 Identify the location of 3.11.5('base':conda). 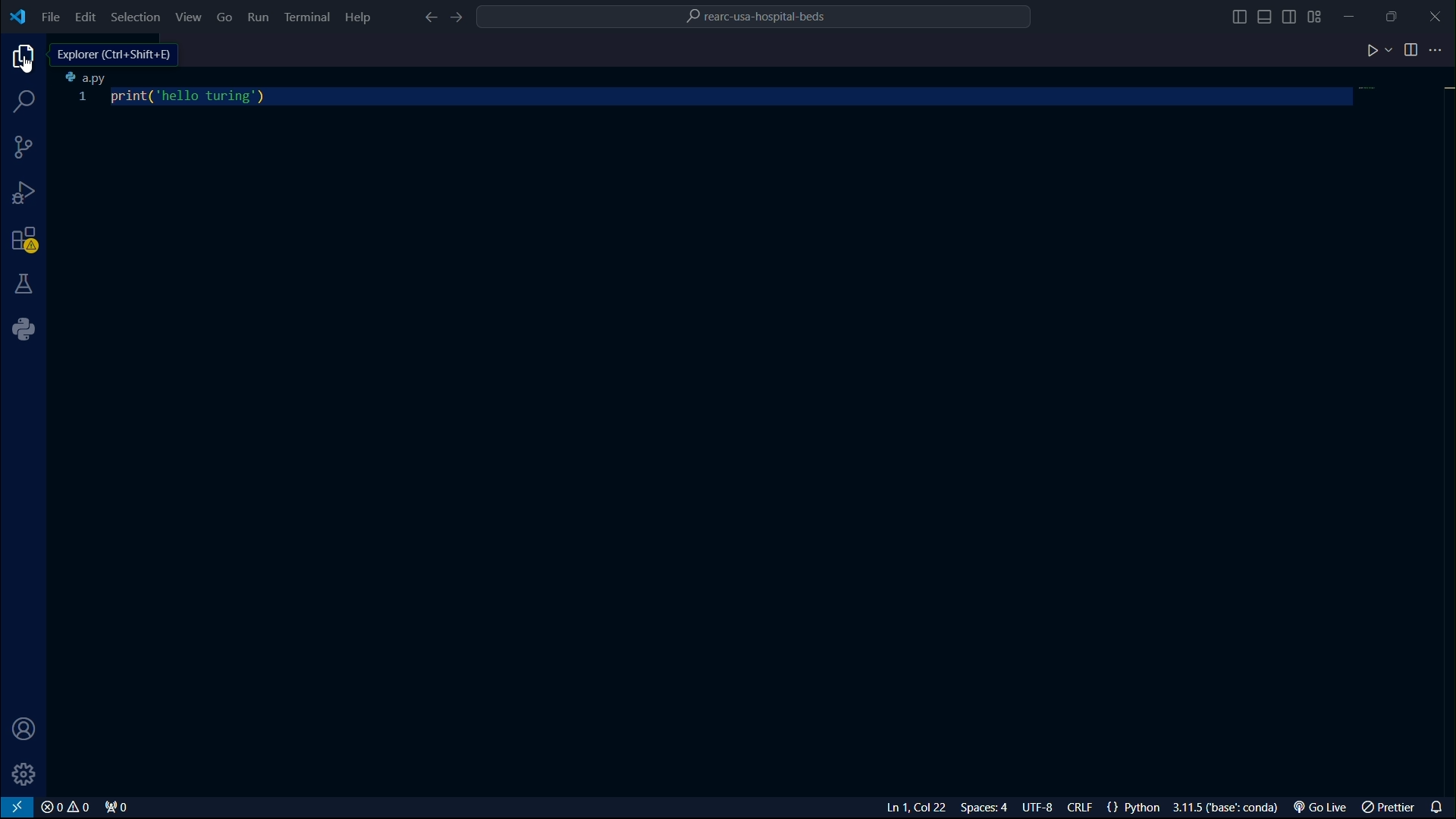
(1226, 807).